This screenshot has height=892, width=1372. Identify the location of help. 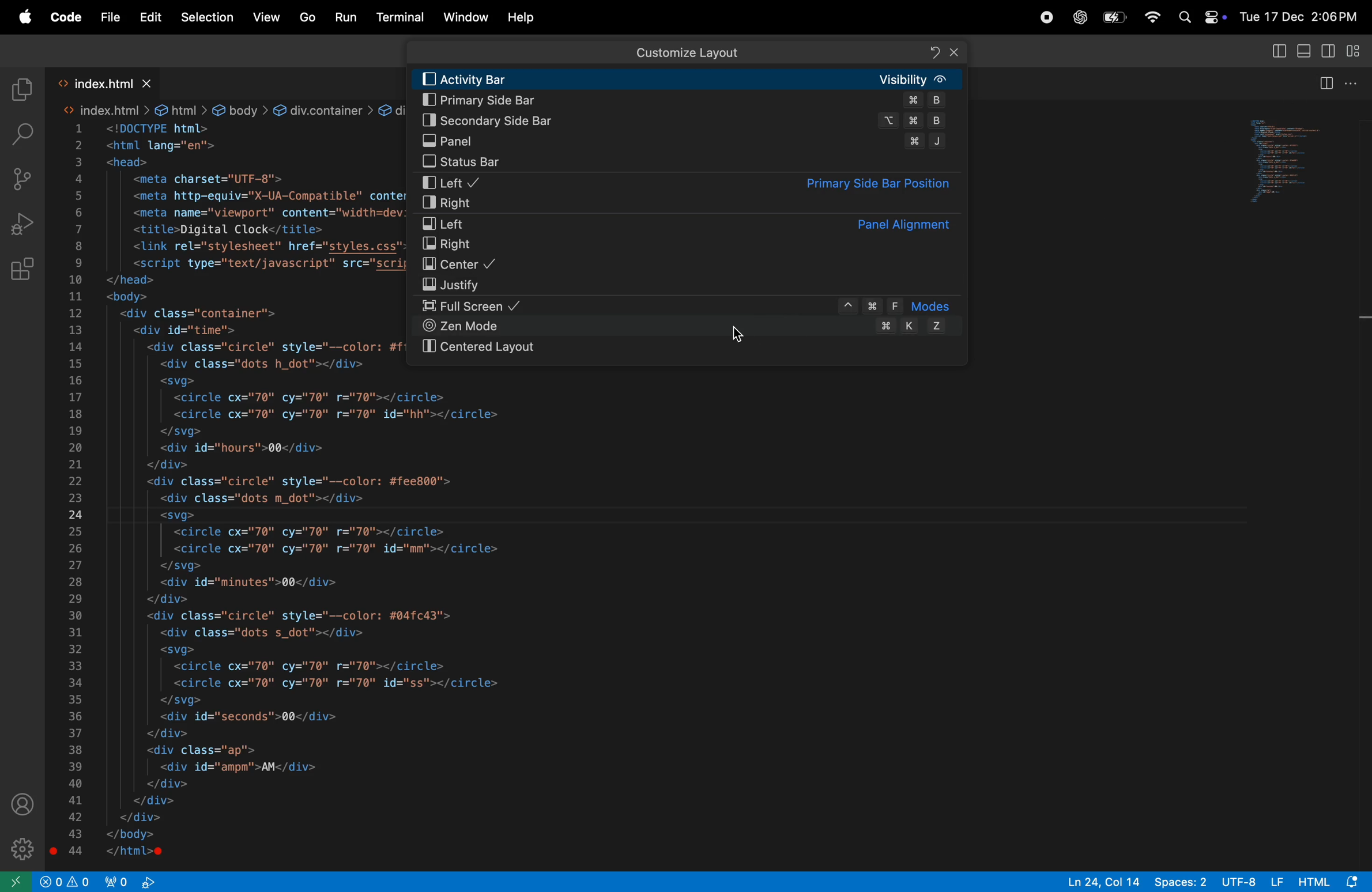
(522, 17).